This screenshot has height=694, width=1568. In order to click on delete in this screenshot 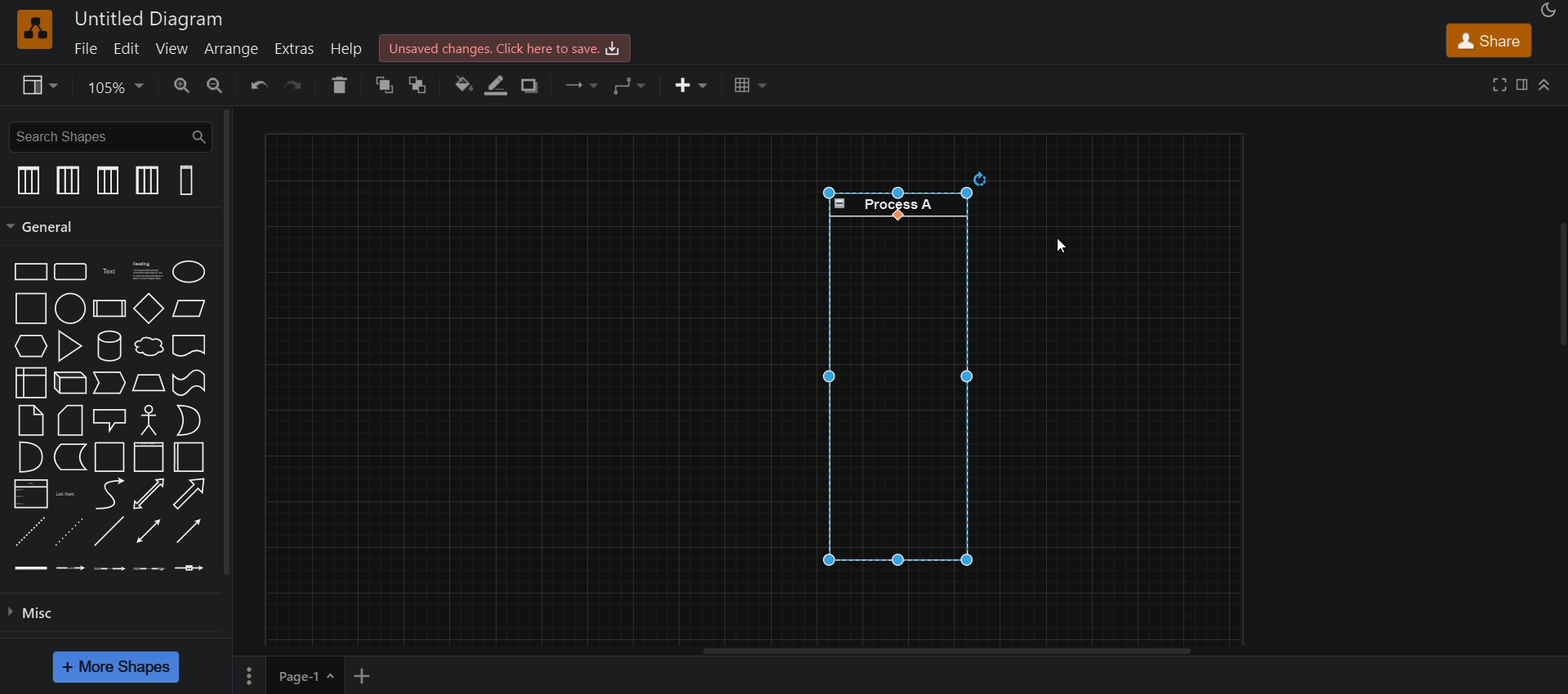, I will do `click(340, 85)`.